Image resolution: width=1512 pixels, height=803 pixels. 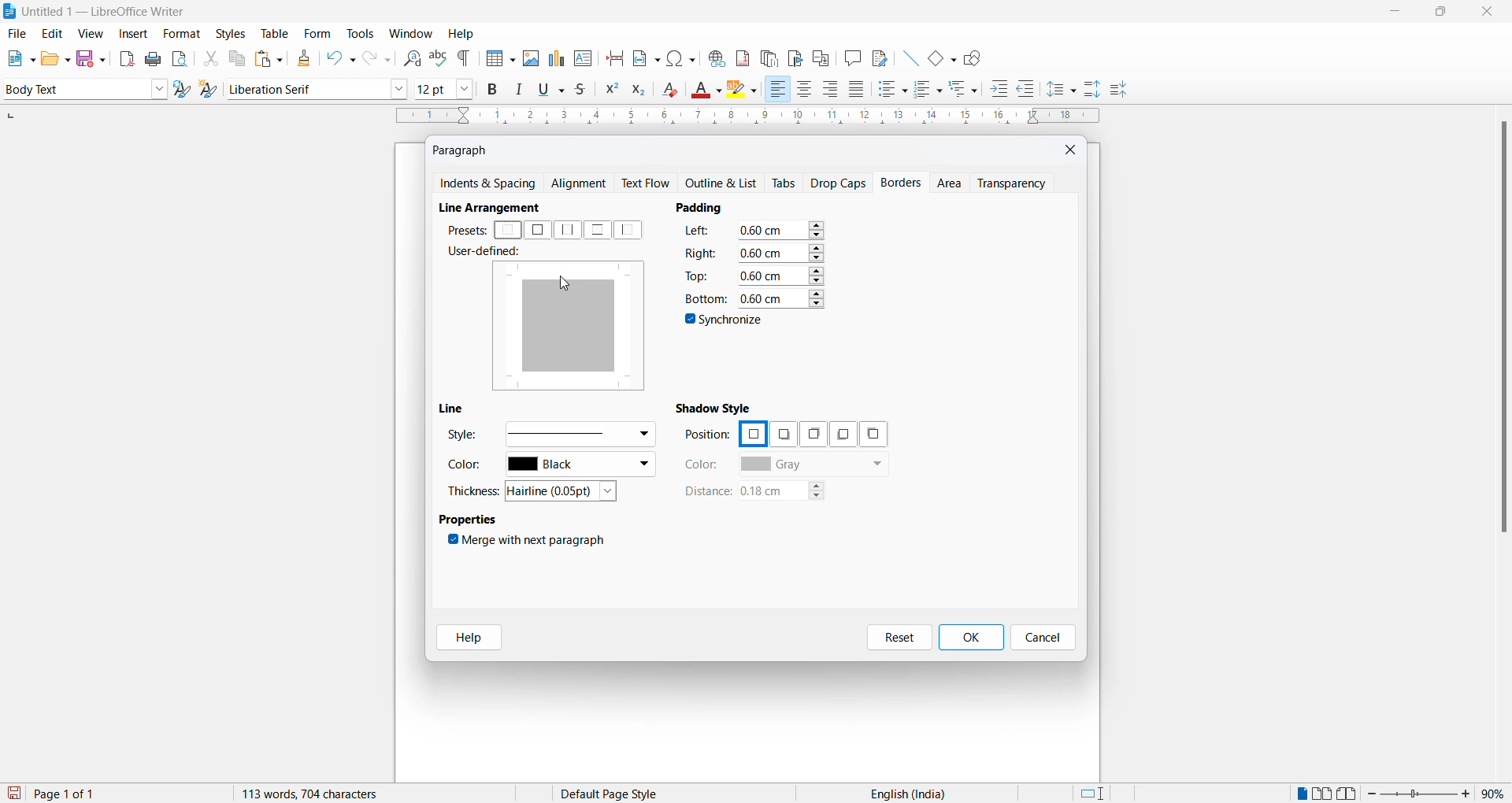 I want to click on close, so click(x=1491, y=13).